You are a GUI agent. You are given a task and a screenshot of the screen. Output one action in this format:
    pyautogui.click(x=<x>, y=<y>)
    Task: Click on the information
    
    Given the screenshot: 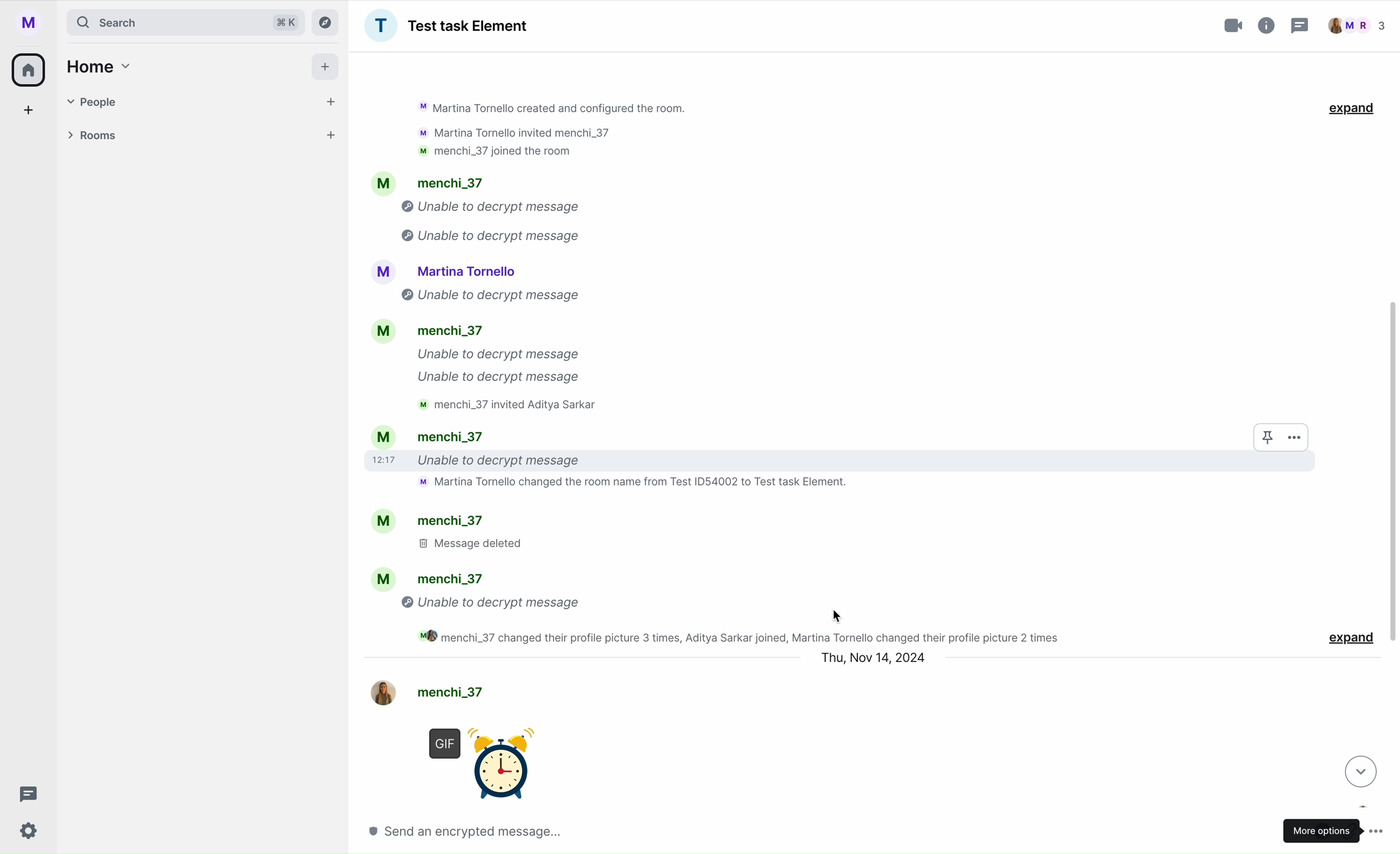 What is the action you would take?
    pyautogui.click(x=1267, y=23)
    